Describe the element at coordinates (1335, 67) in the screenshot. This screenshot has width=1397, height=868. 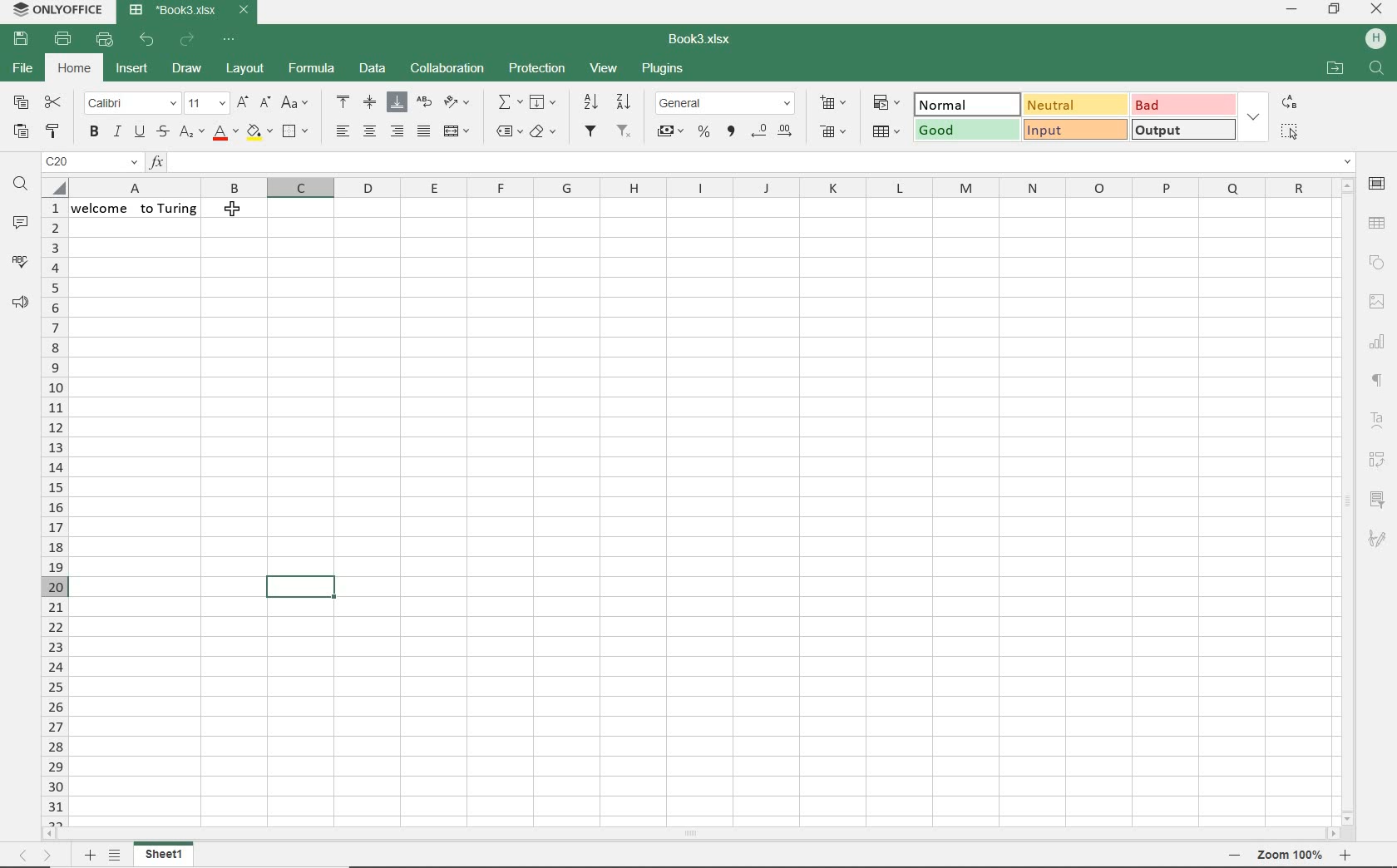
I see `OPEN FILE LOCATION` at that location.